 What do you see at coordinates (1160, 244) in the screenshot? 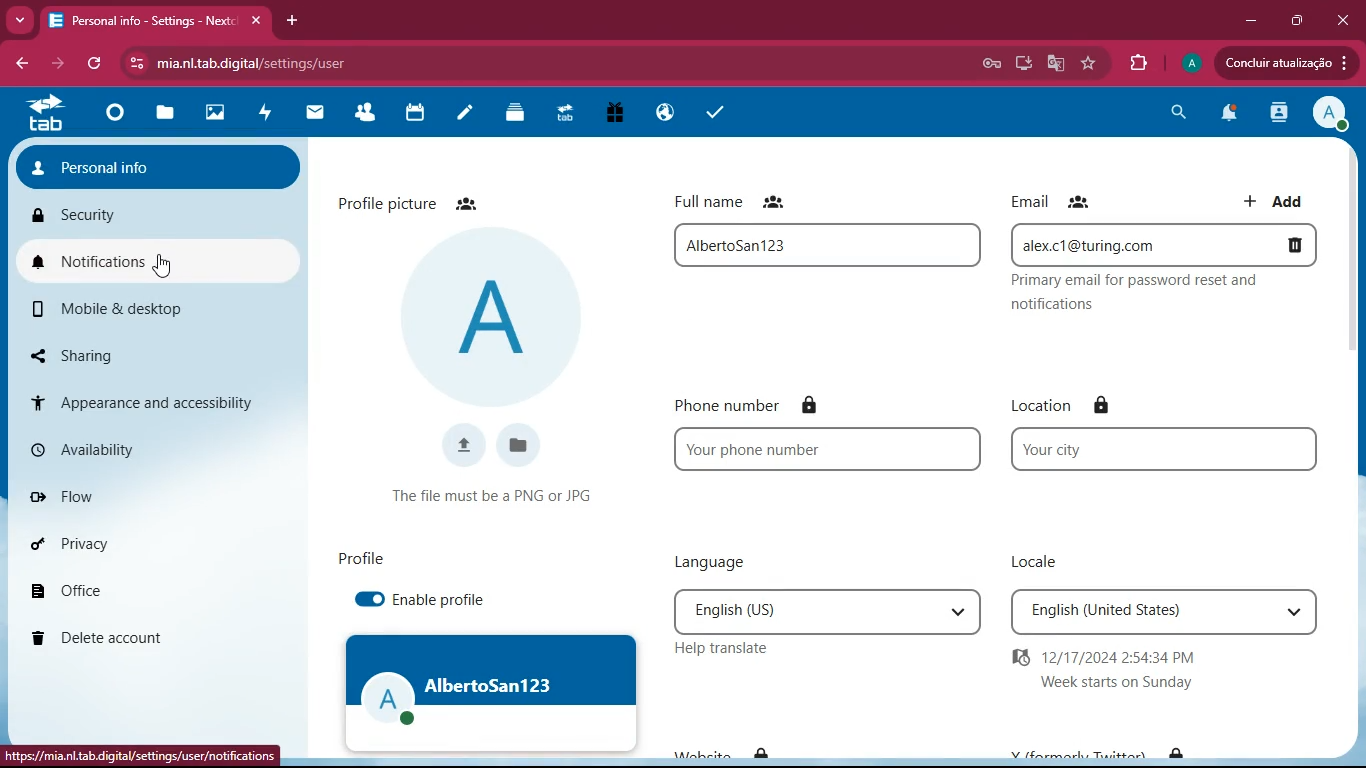
I see `email` at bounding box center [1160, 244].